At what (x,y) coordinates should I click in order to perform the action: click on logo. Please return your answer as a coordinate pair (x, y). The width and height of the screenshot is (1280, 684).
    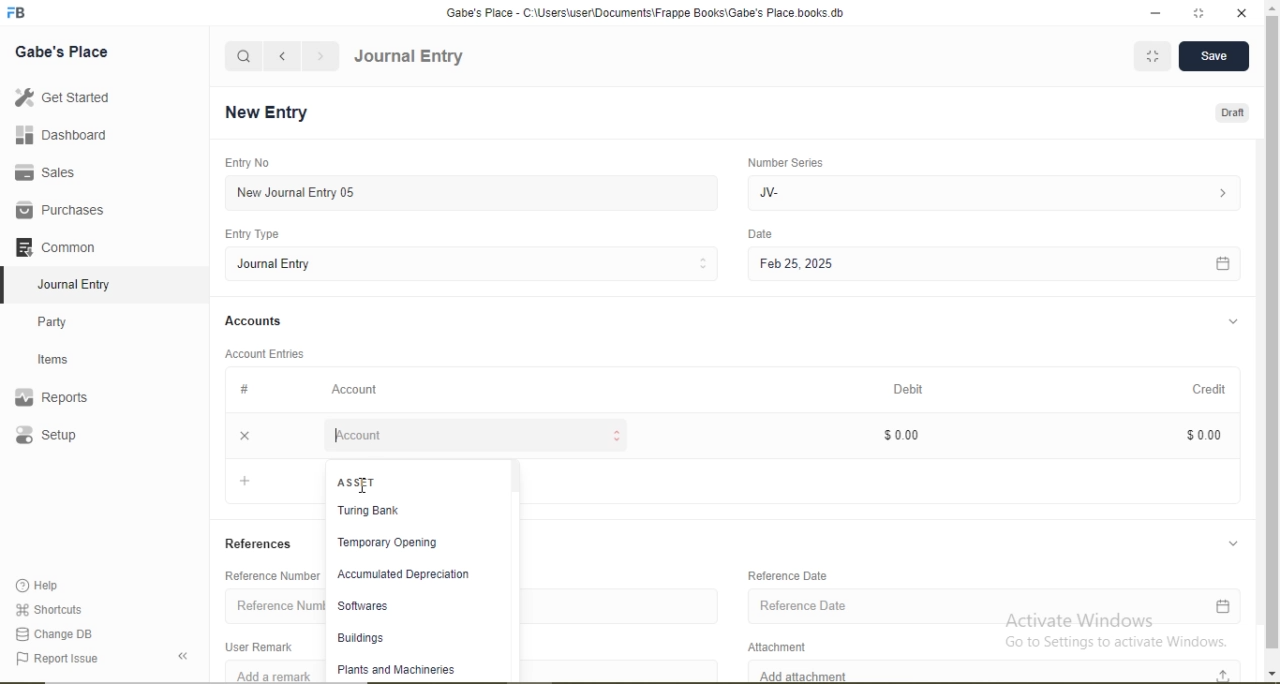
    Looking at the image, I should click on (18, 13).